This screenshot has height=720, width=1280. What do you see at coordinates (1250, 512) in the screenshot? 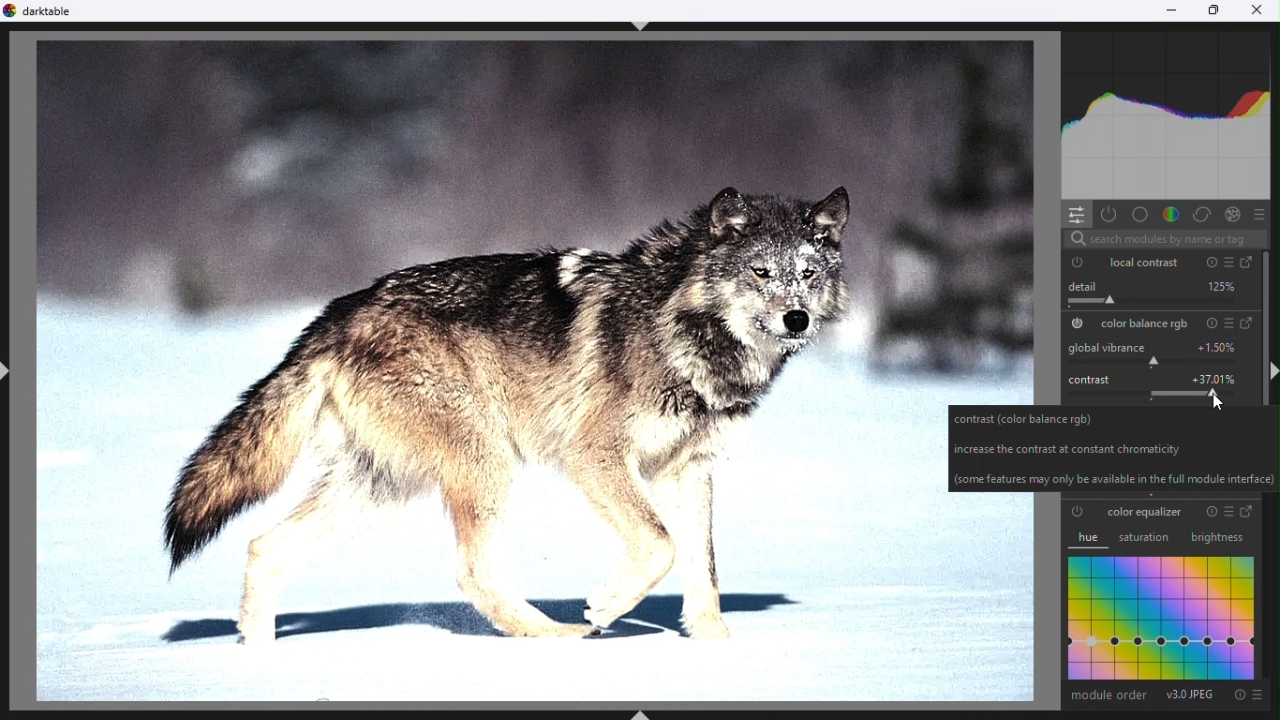
I see `go to full version of the color equalizer module` at bounding box center [1250, 512].